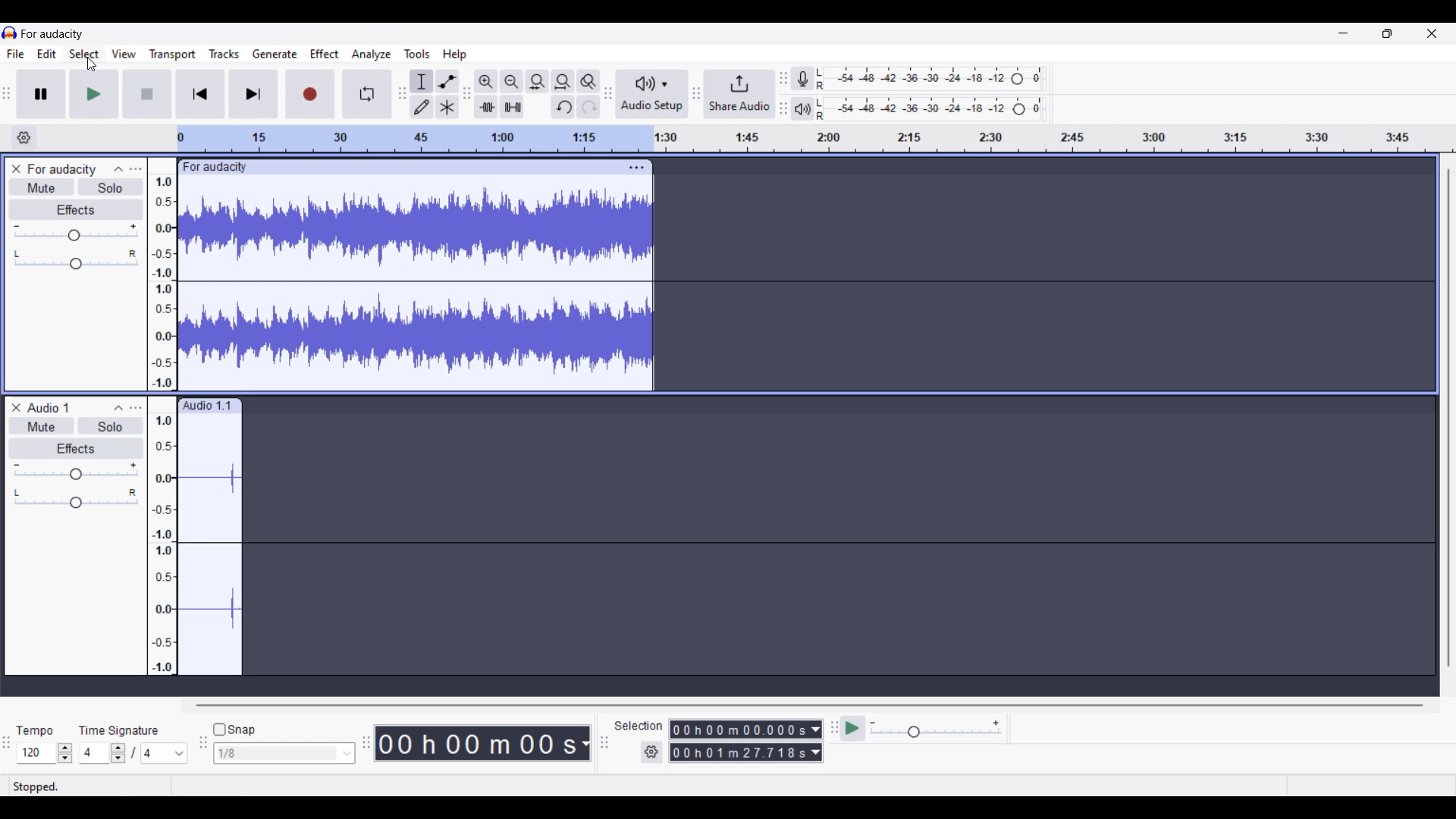  What do you see at coordinates (853, 728) in the screenshot?
I see `play at speed` at bounding box center [853, 728].